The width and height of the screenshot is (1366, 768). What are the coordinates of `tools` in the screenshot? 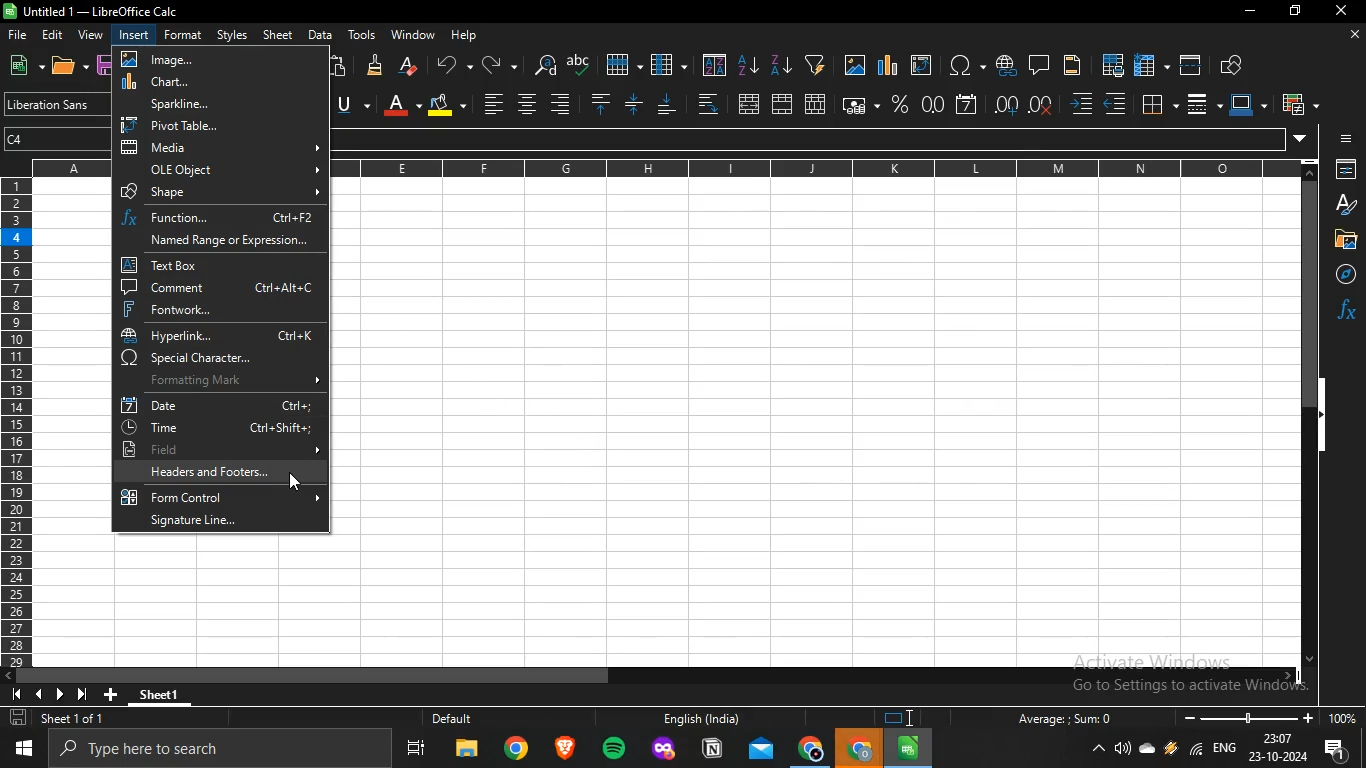 It's located at (362, 35).